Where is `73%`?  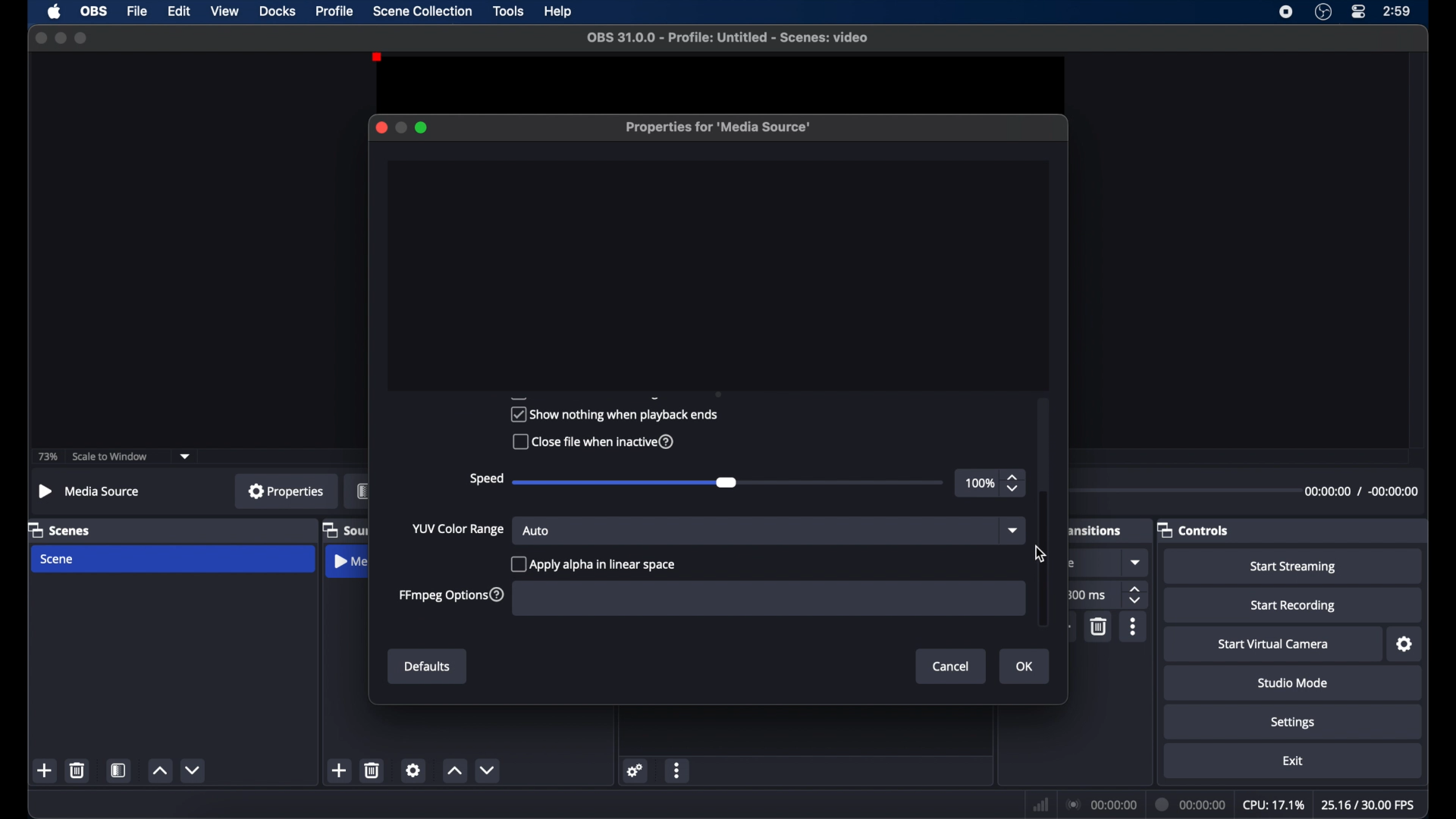 73% is located at coordinates (46, 457).